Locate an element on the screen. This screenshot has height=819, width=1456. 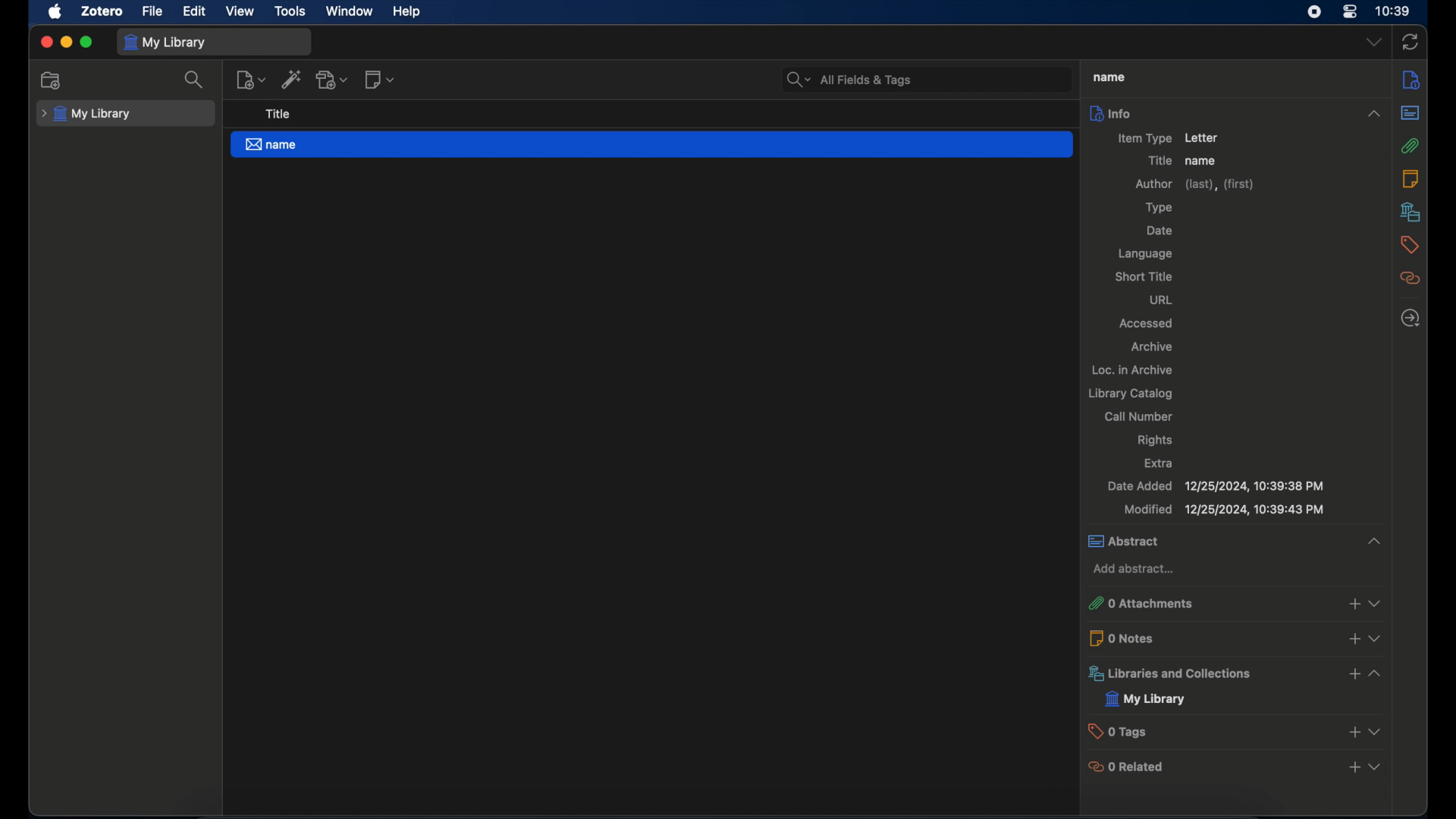
view more is located at coordinates (1379, 603).